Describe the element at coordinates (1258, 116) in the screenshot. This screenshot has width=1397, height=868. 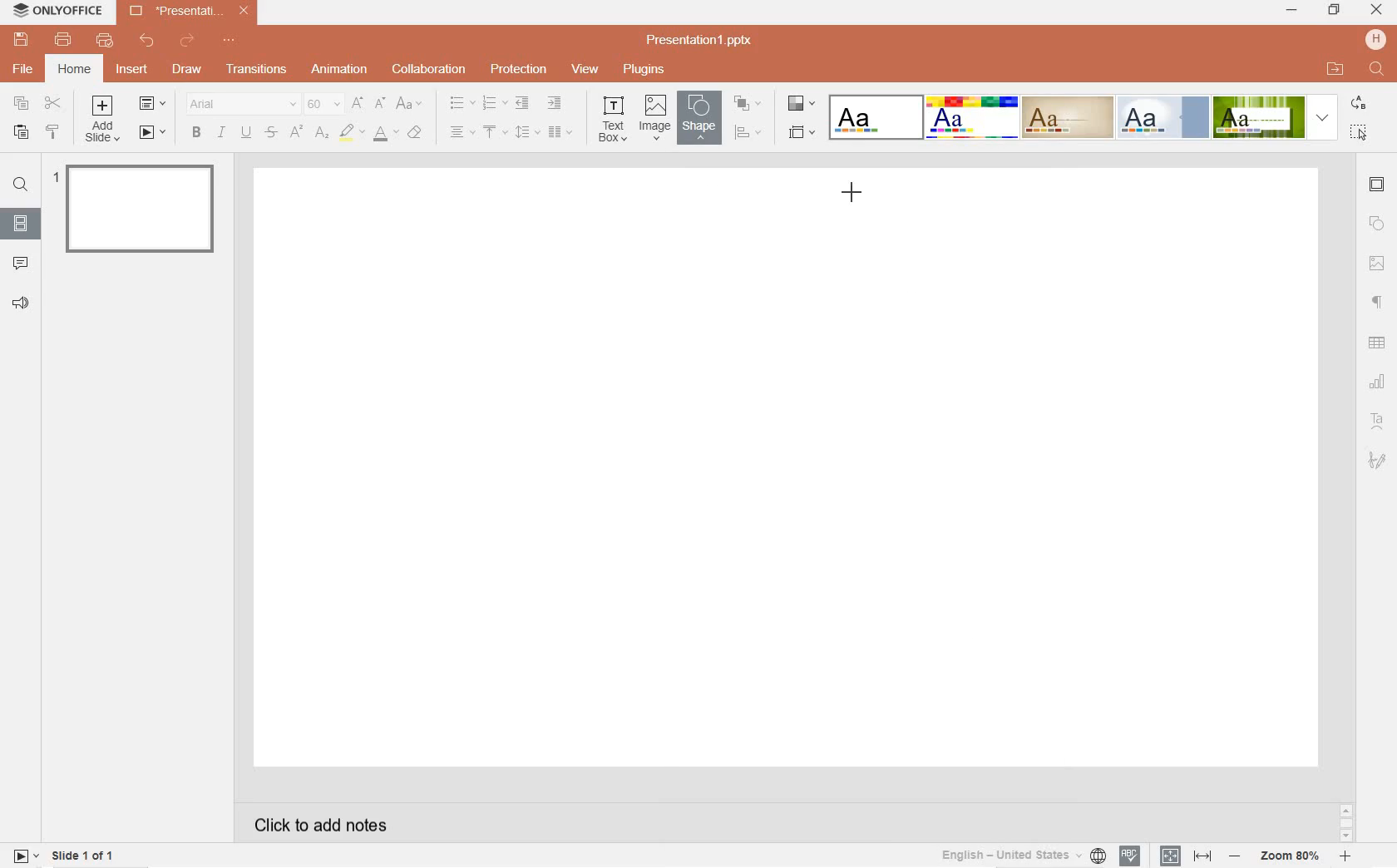
I see `Green Leaf` at that location.